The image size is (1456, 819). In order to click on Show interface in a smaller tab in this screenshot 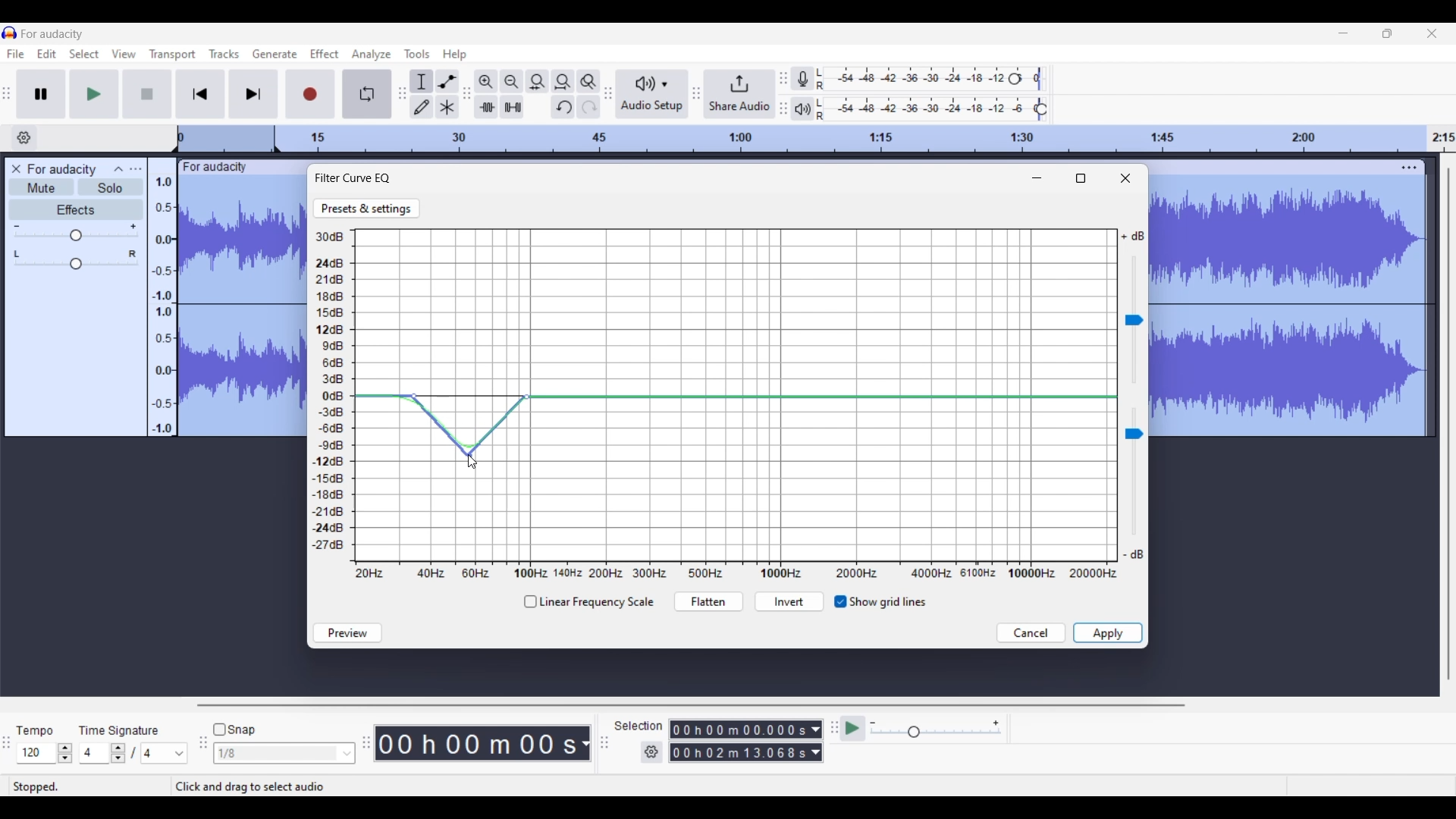, I will do `click(1387, 33)`.